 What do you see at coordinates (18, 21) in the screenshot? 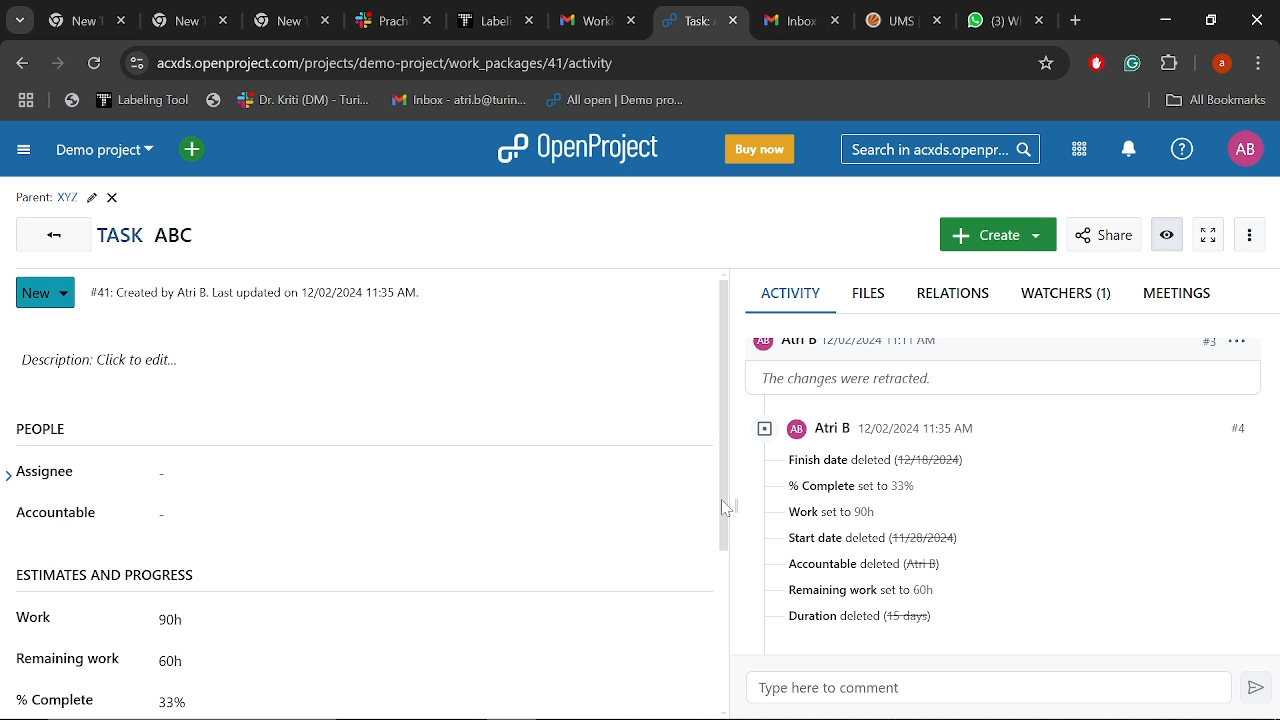
I see `Search tabs` at bounding box center [18, 21].